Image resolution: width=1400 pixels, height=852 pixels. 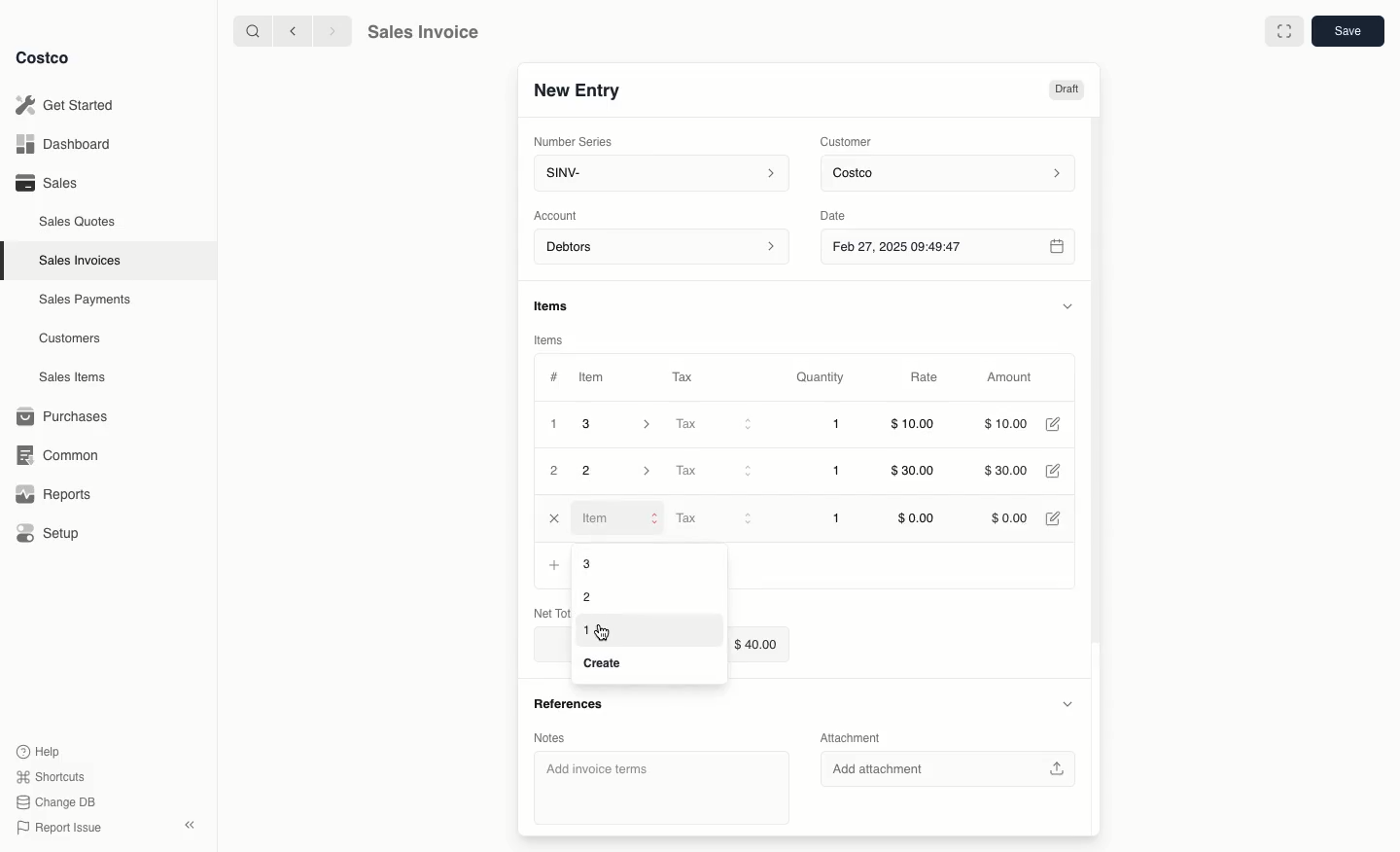 What do you see at coordinates (822, 377) in the screenshot?
I see `Quantity` at bounding box center [822, 377].